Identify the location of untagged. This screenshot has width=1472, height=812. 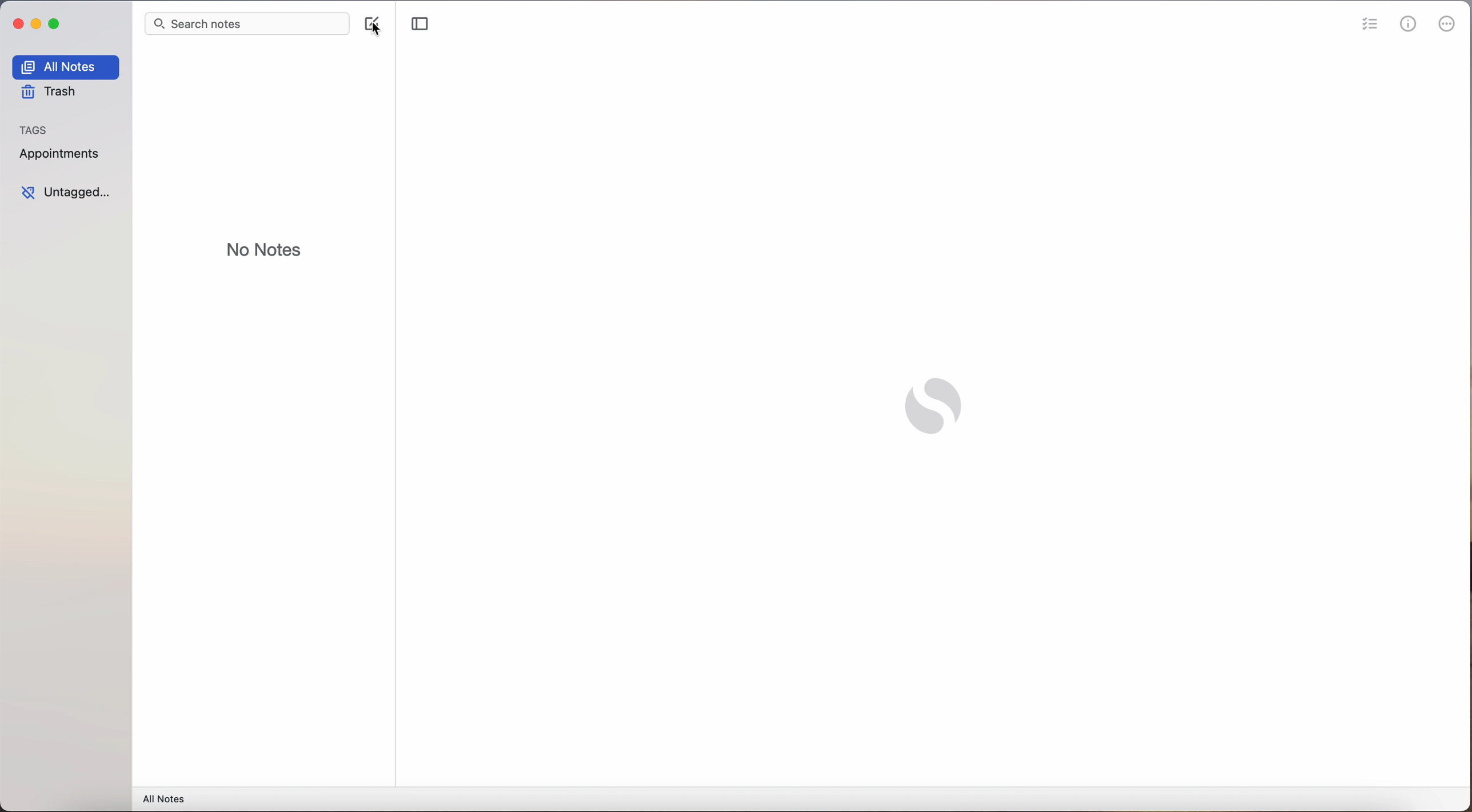
(71, 193).